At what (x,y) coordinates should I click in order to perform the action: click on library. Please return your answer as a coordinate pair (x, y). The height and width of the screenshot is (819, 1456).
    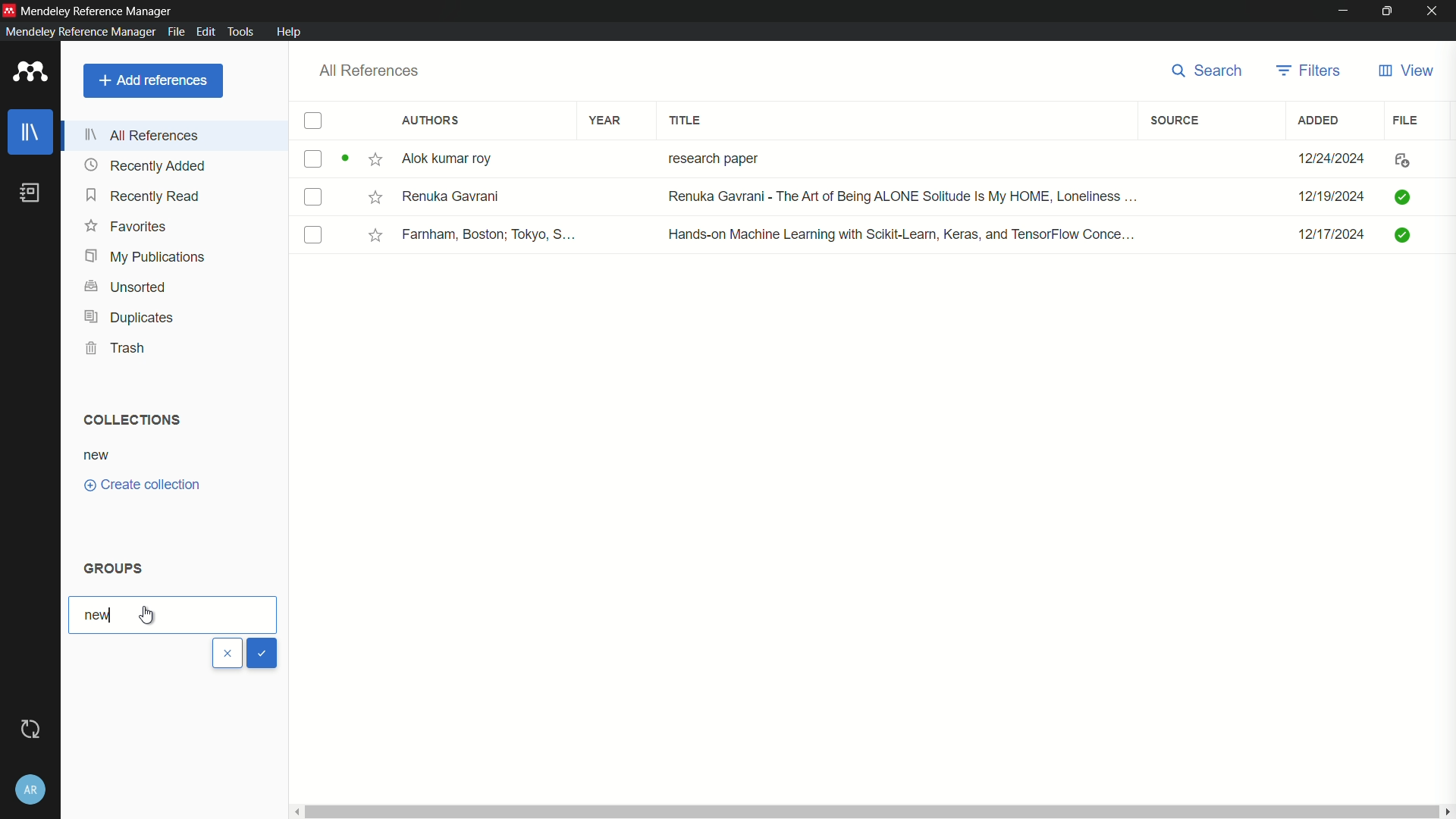
    Looking at the image, I should click on (33, 133).